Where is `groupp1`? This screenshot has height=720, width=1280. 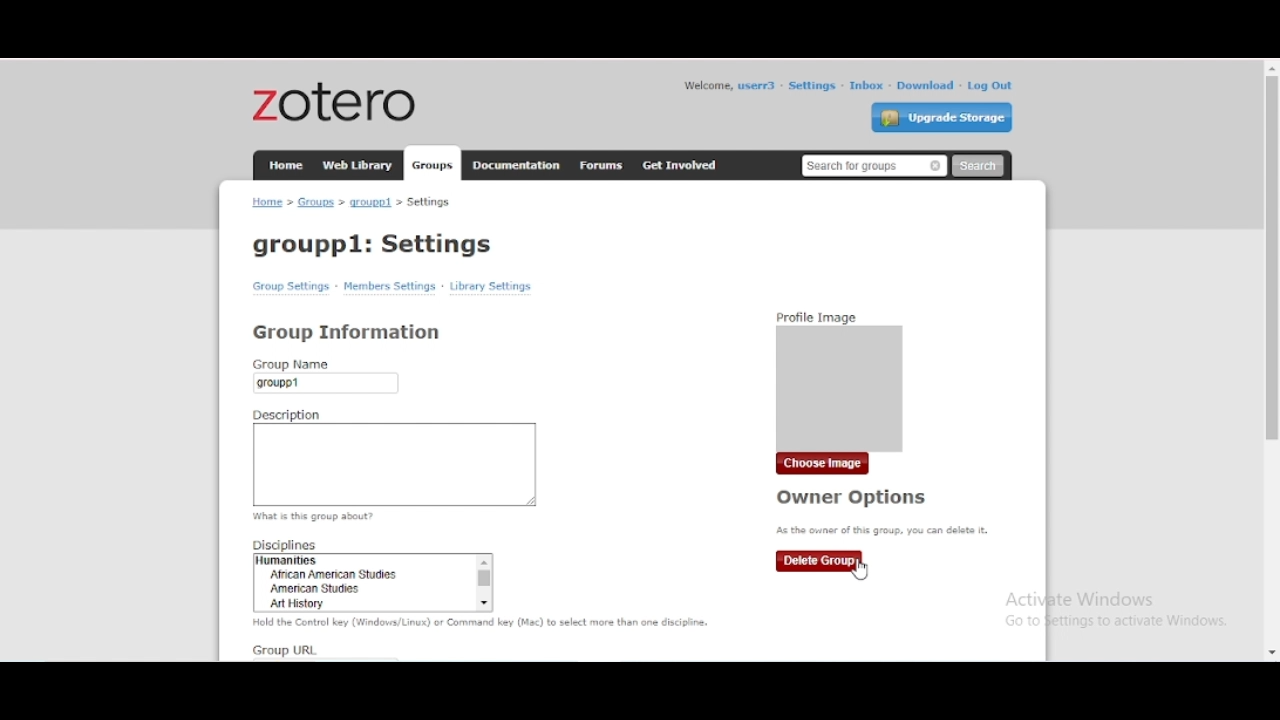
groupp1 is located at coordinates (371, 203).